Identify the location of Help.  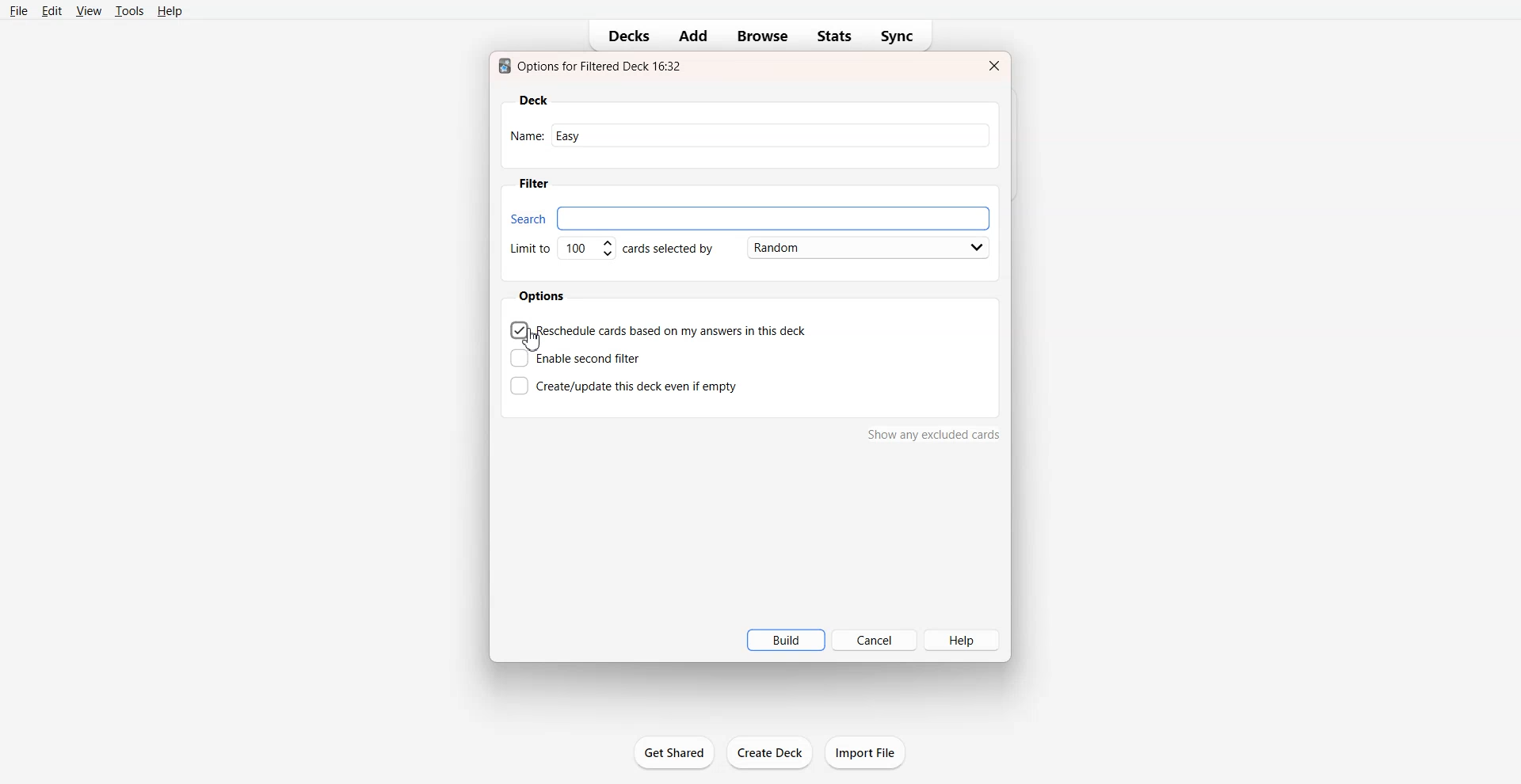
(963, 639).